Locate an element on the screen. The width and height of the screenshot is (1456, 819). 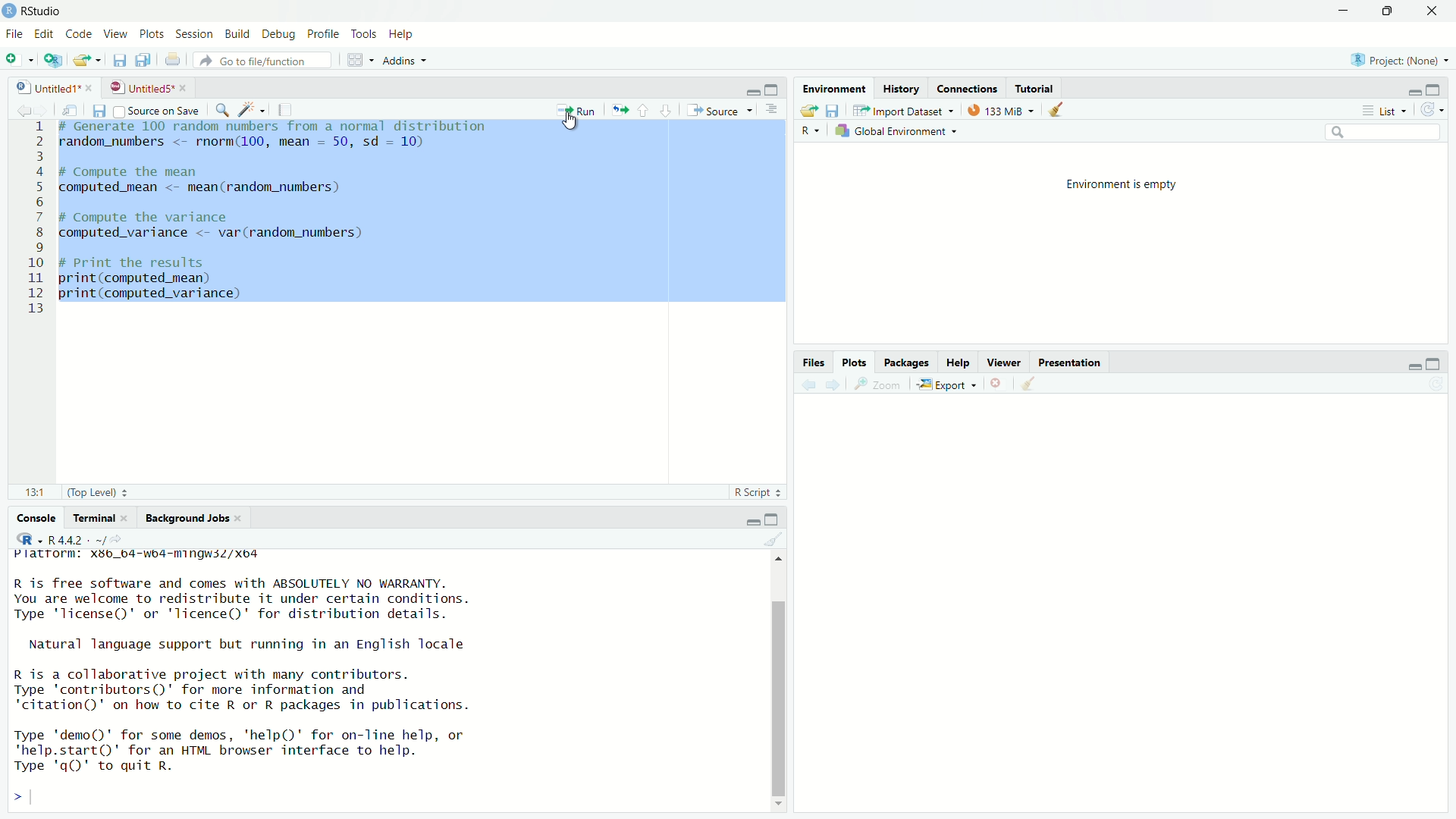
move top is located at coordinates (777, 563).